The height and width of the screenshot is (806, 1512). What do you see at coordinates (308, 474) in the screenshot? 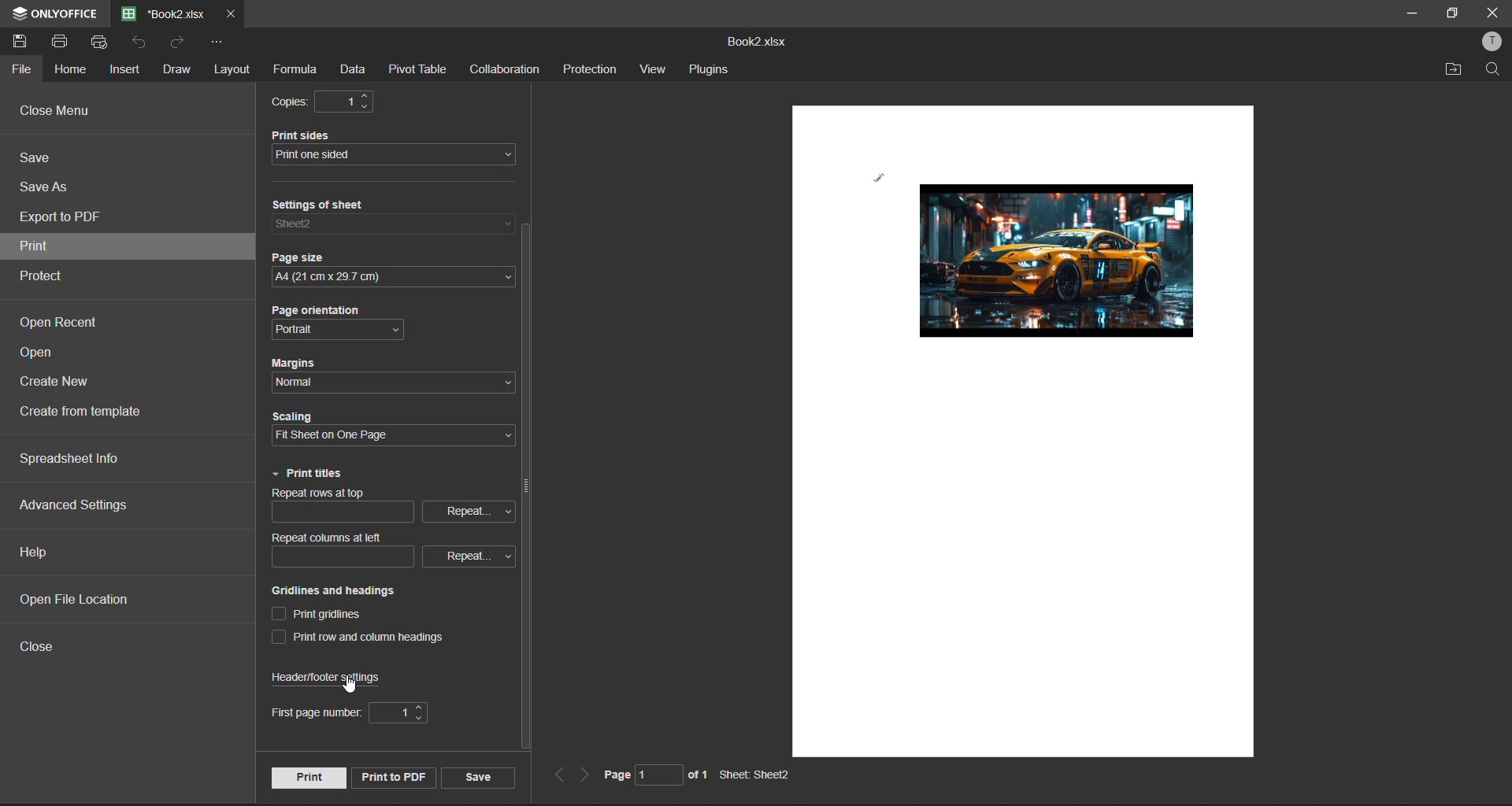
I see `print titles` at bounding box center [308, 474].